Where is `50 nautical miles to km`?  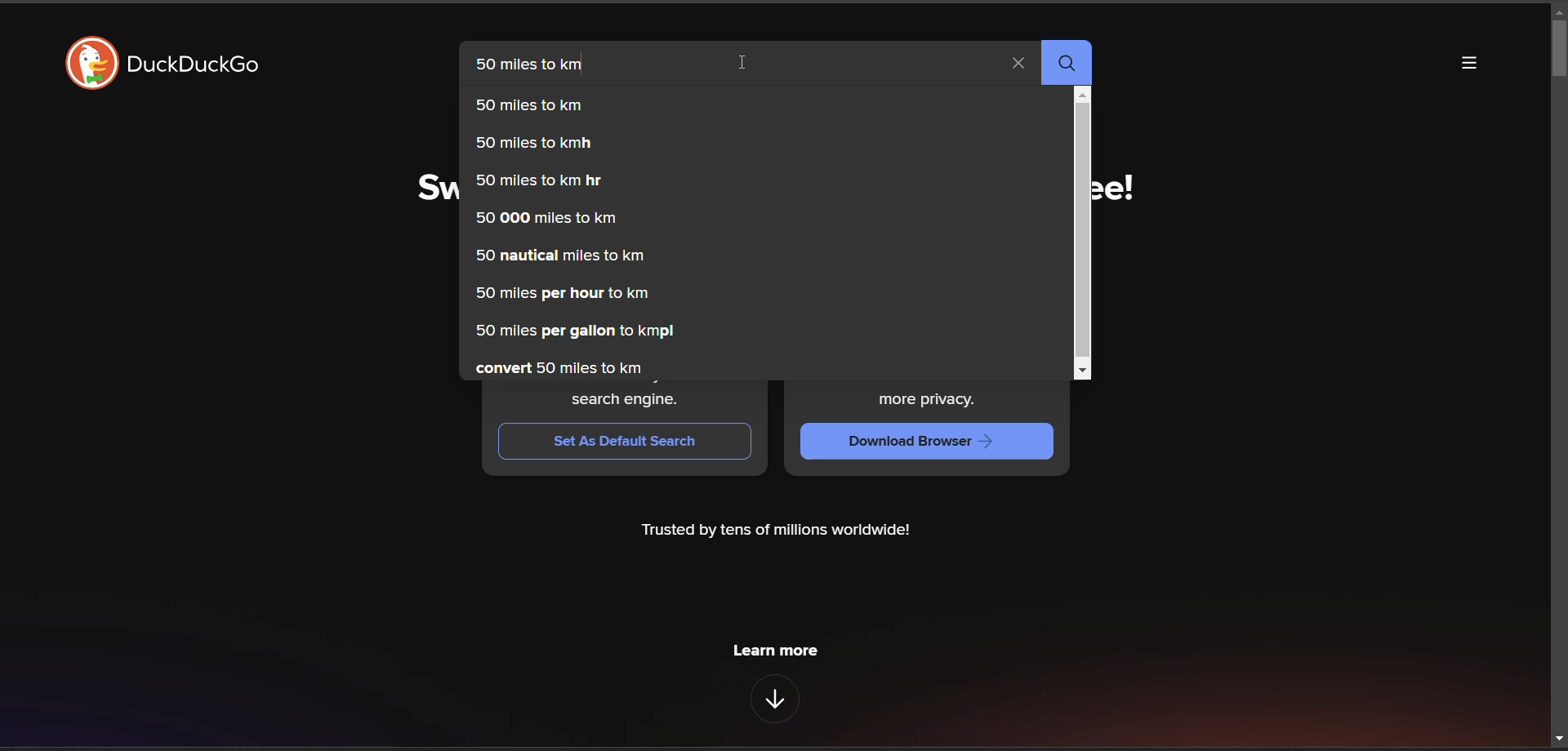
50 nautical miles to km is located at coordinates (564, 257).